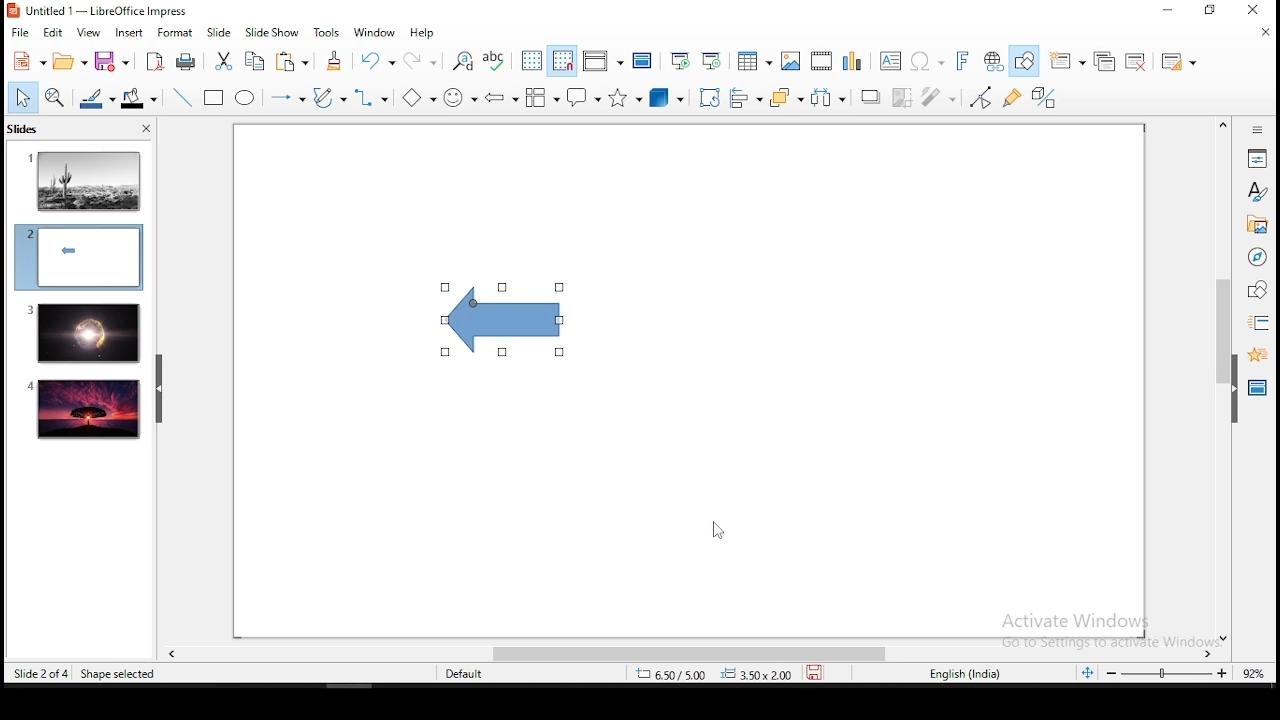 The width and height of the screenshot is (1280, 720). I want to click on show draw functions, so click(1027, 62).